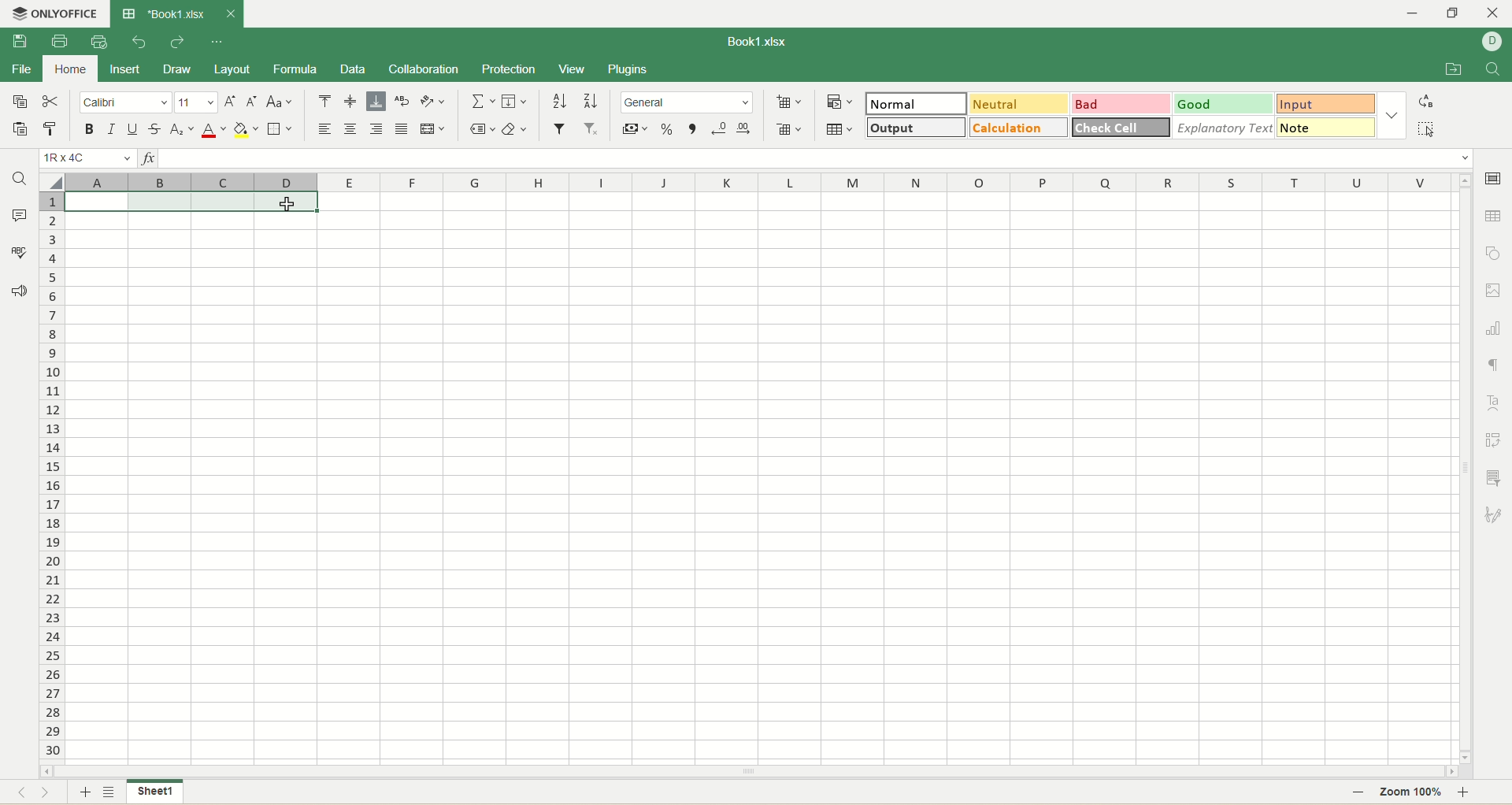 This screenshot has width=1512, height=805. Describe the element at coordinates (514, 128) in the screenshot. I see `clear` at that location.